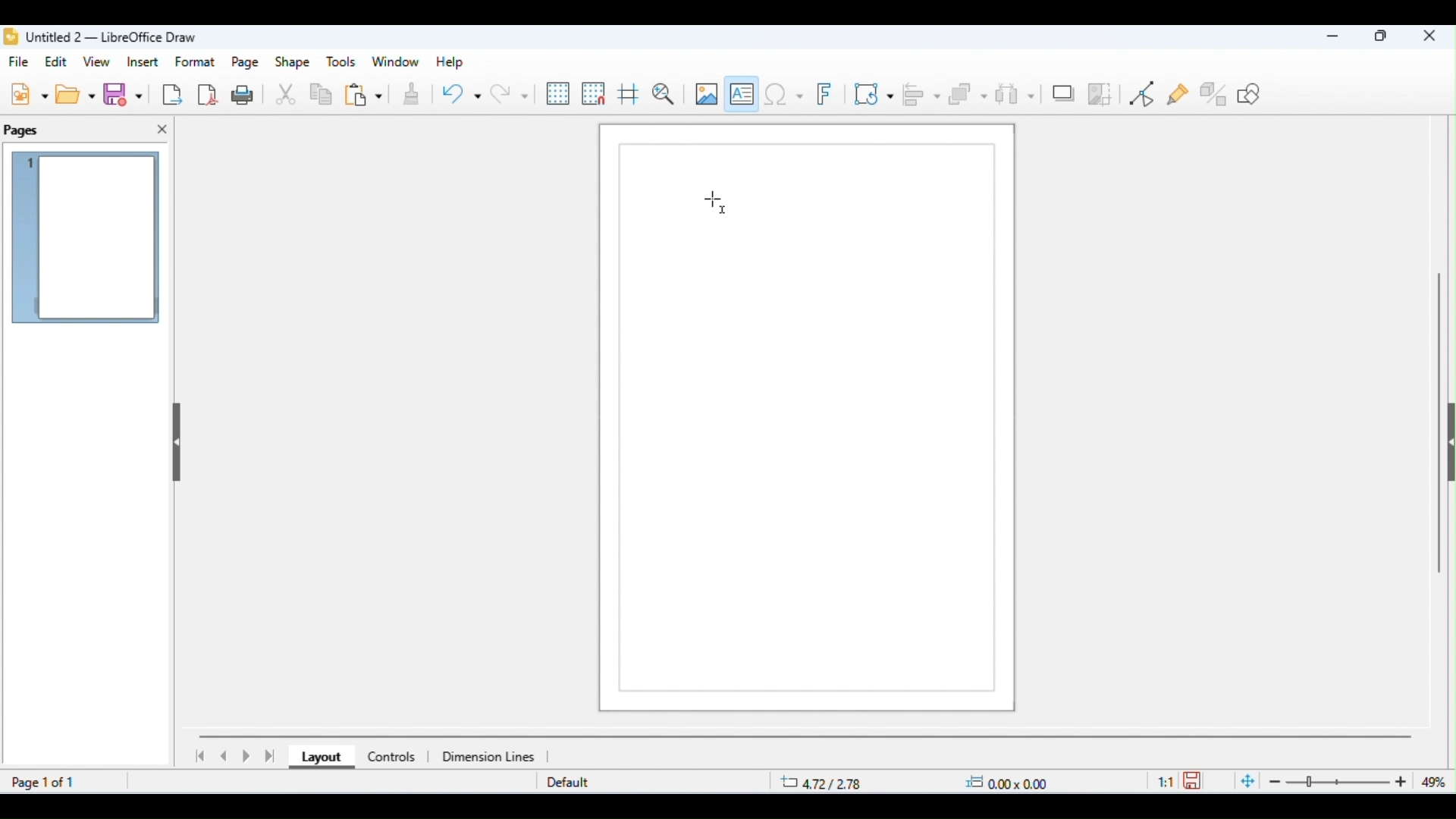  What do you see at coordinates (162, 130) in the screenshot?
I see `close` at bounding box center [162, 130].